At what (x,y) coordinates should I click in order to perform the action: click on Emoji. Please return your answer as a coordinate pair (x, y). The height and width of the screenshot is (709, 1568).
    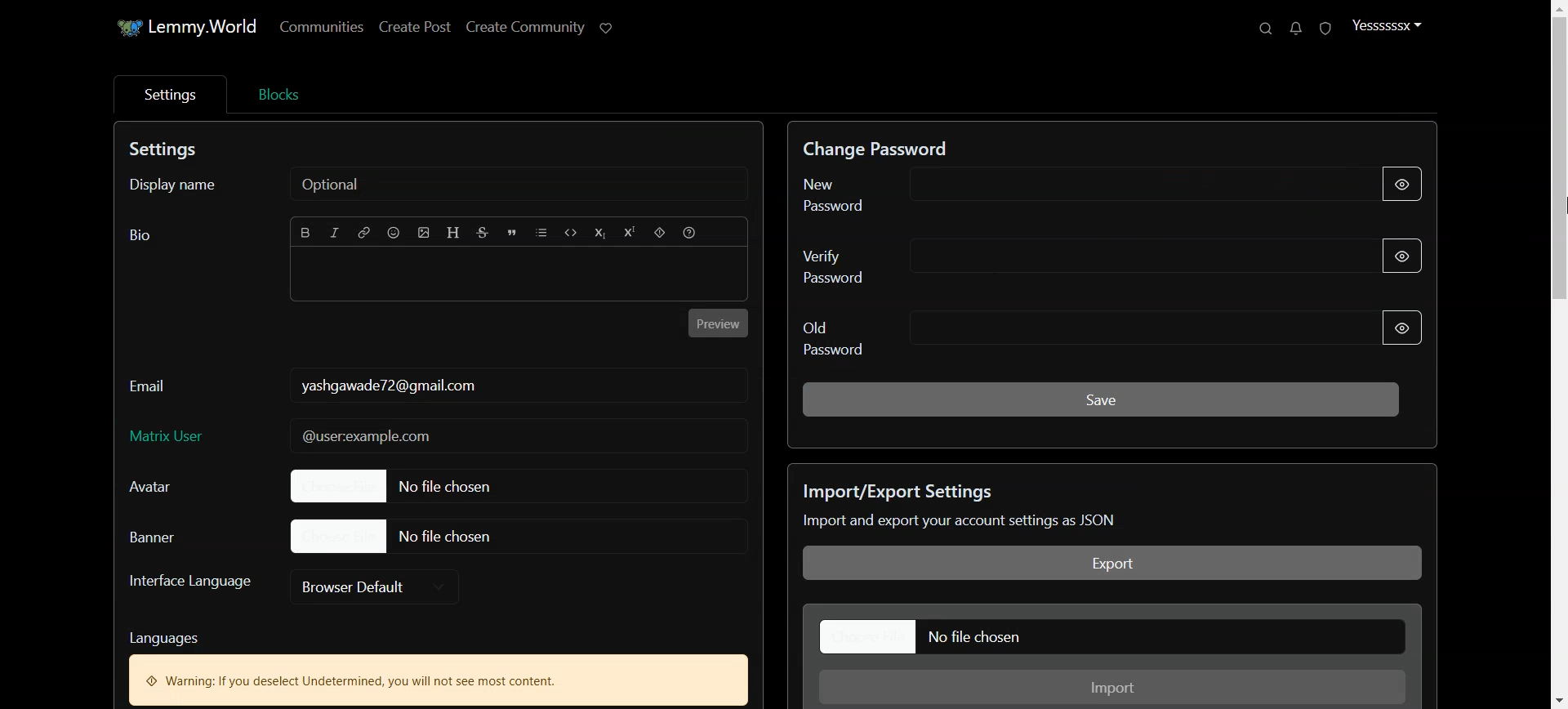
    Looking at the image, I should click on (394, 233).